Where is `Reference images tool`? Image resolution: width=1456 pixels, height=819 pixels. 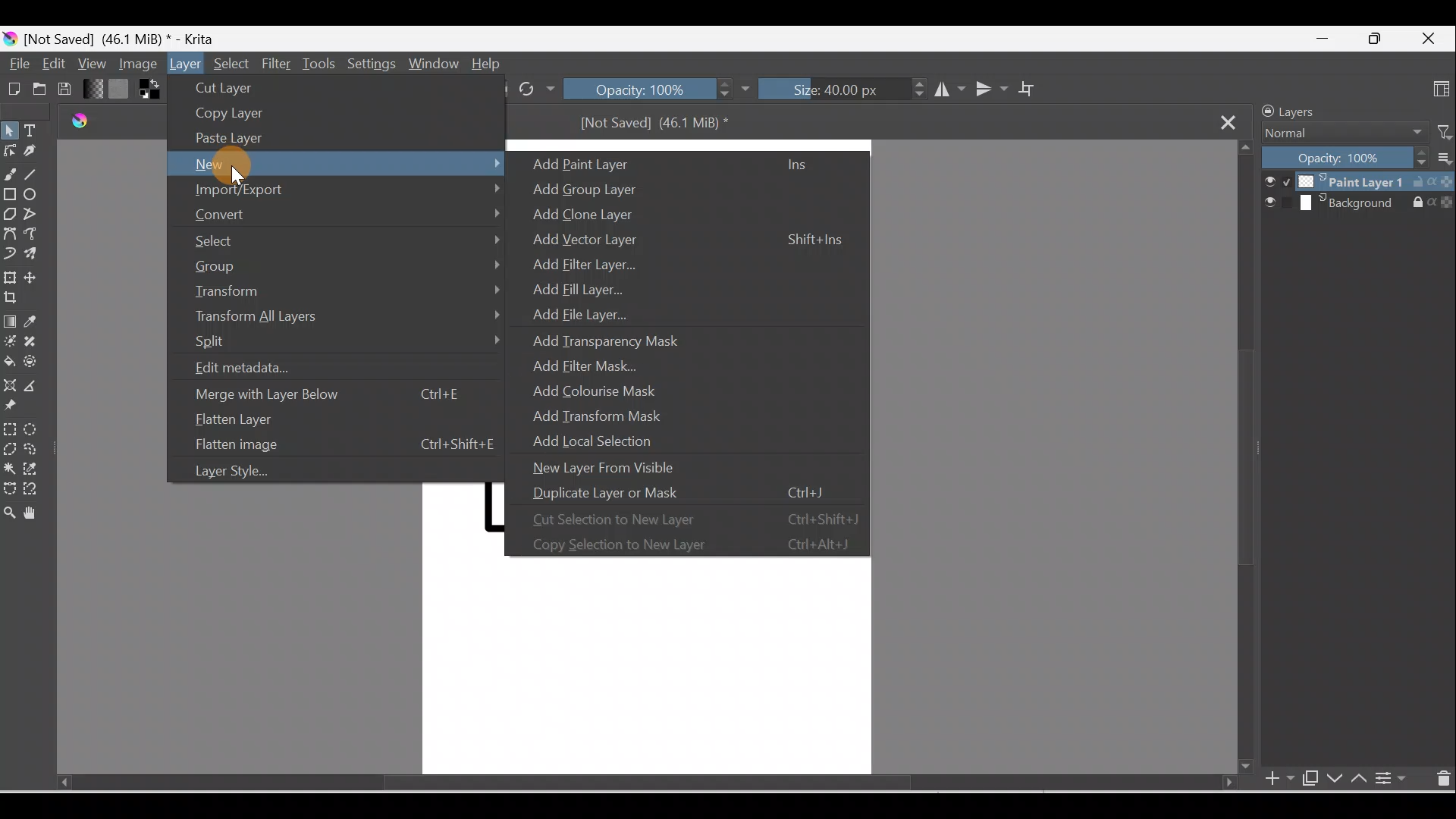
Reference images tool is located at coordinates (14, 407).